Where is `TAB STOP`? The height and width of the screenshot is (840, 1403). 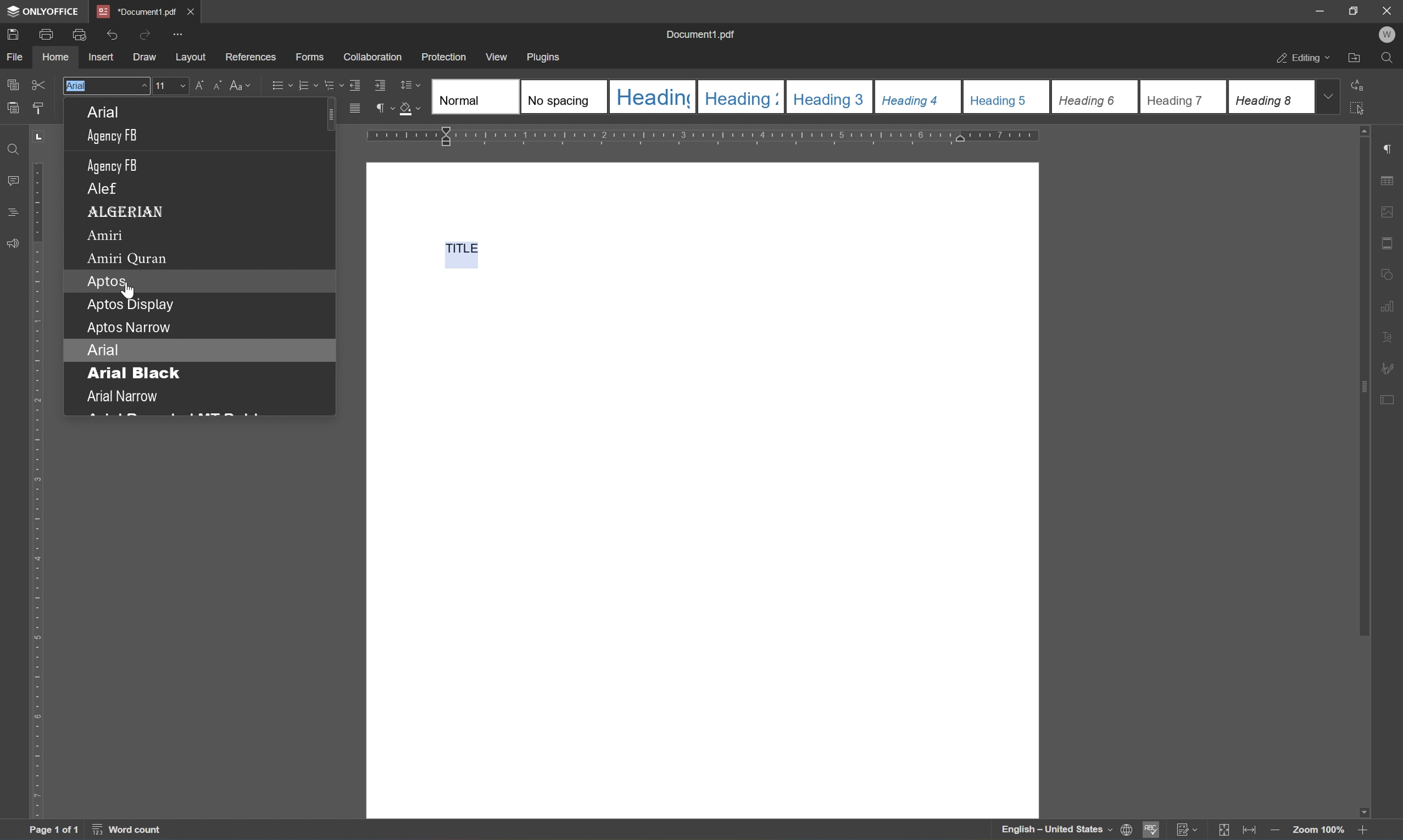
TAB STOP is located at coordinates (40, 140).